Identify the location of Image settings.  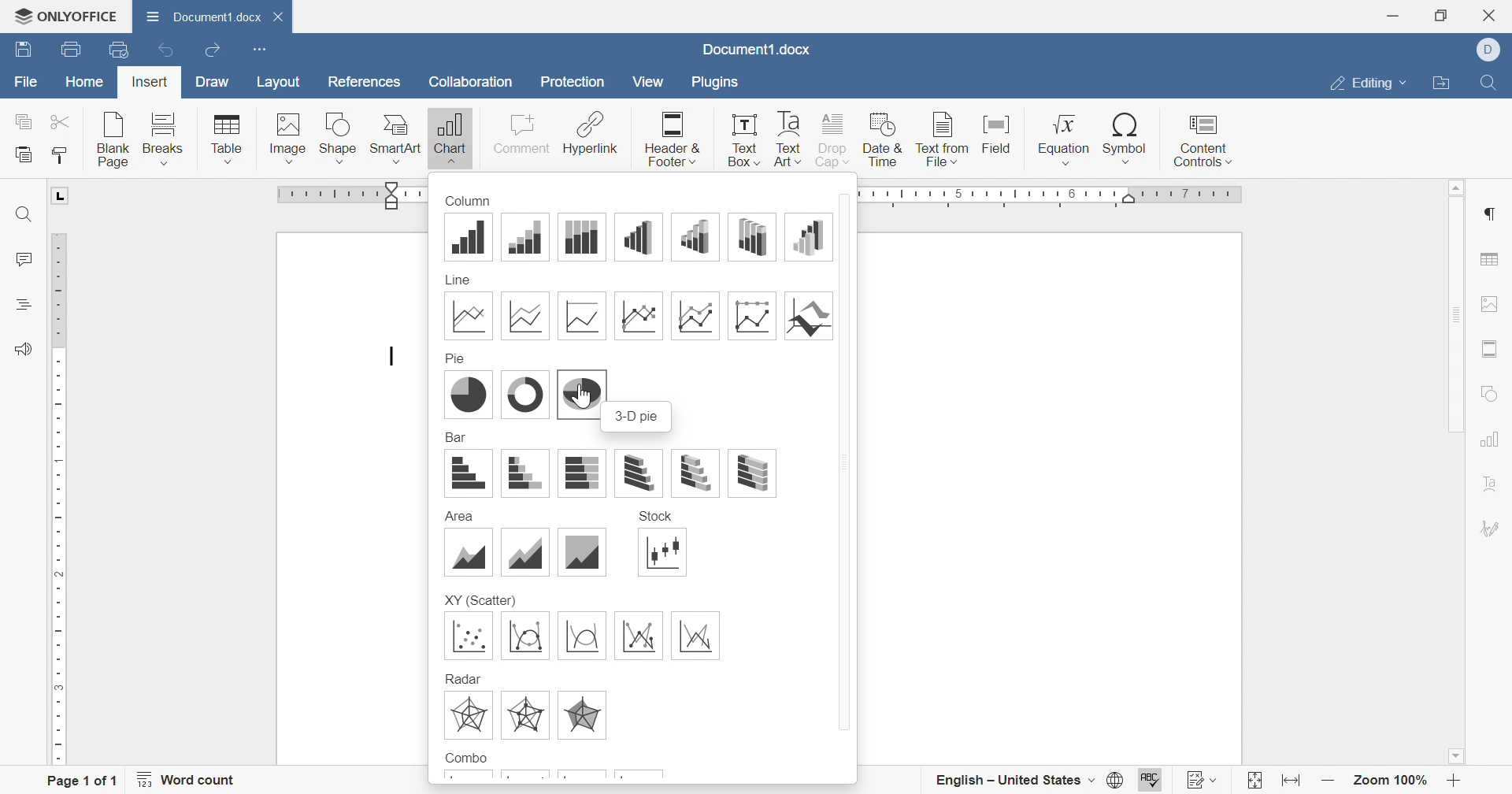
(1492, 302).